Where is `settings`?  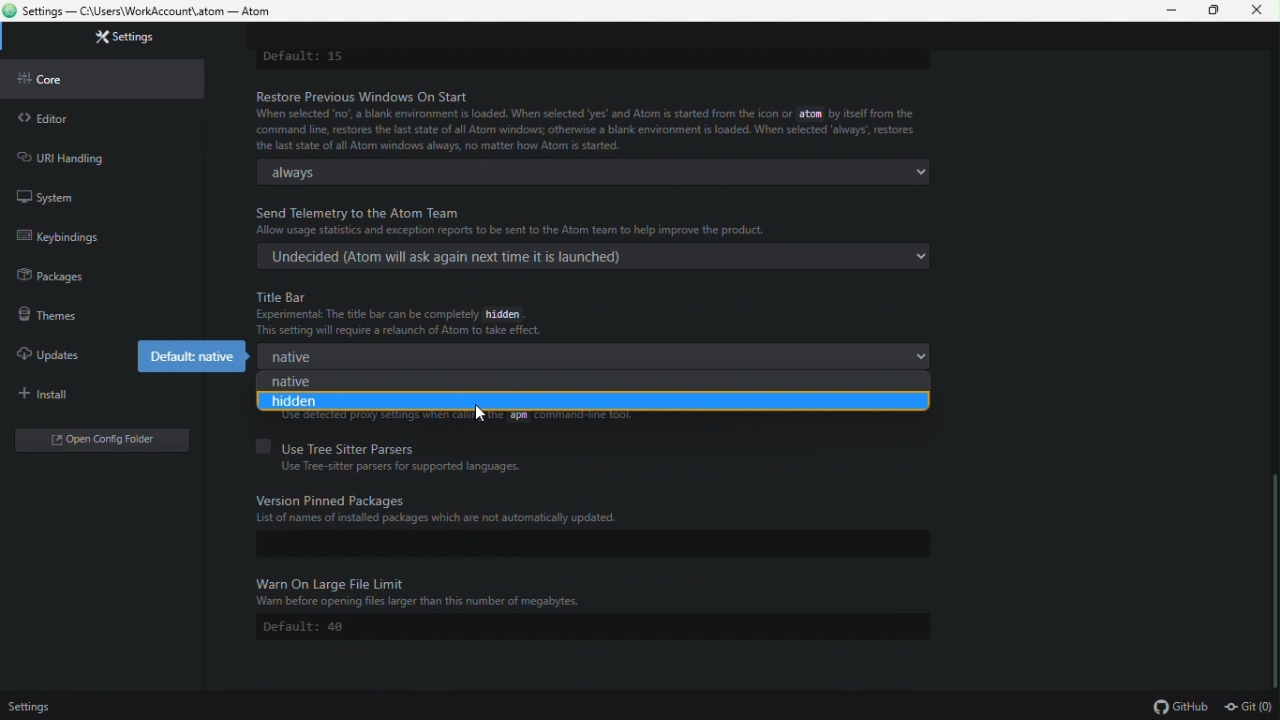
settings is located at coordinates (119, 38).